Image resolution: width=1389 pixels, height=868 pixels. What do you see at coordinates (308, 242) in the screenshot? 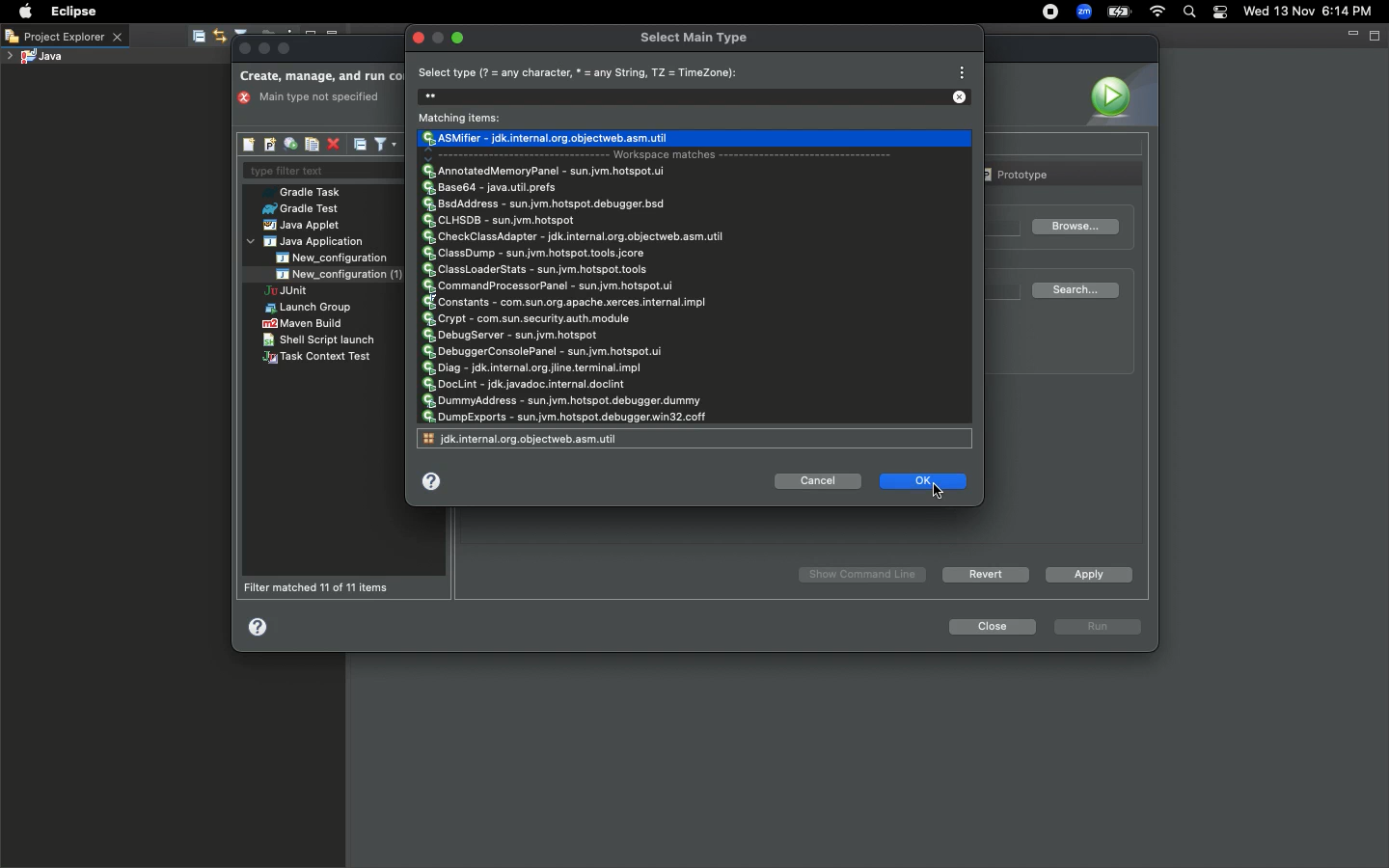
I see `Java application` at bounding box center [308, 242].